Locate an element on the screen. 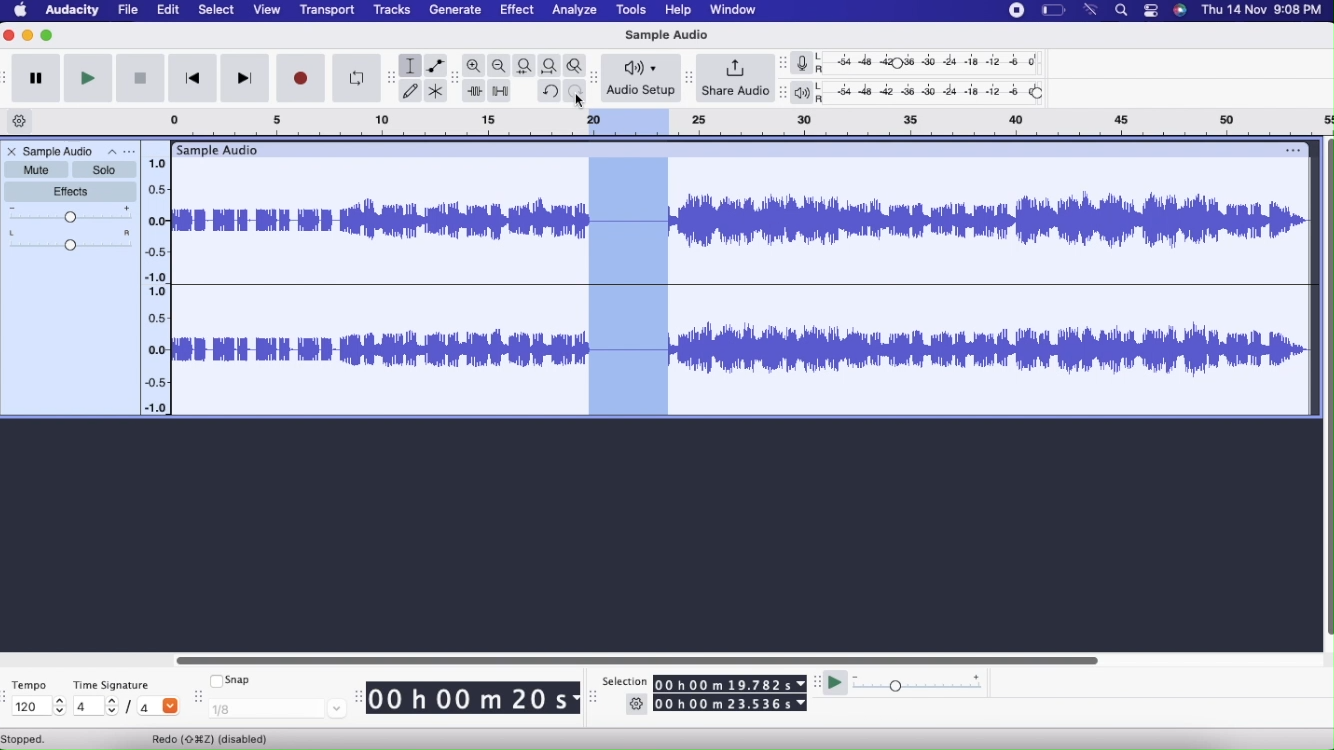  Tools is located at coordinates (634, 11).